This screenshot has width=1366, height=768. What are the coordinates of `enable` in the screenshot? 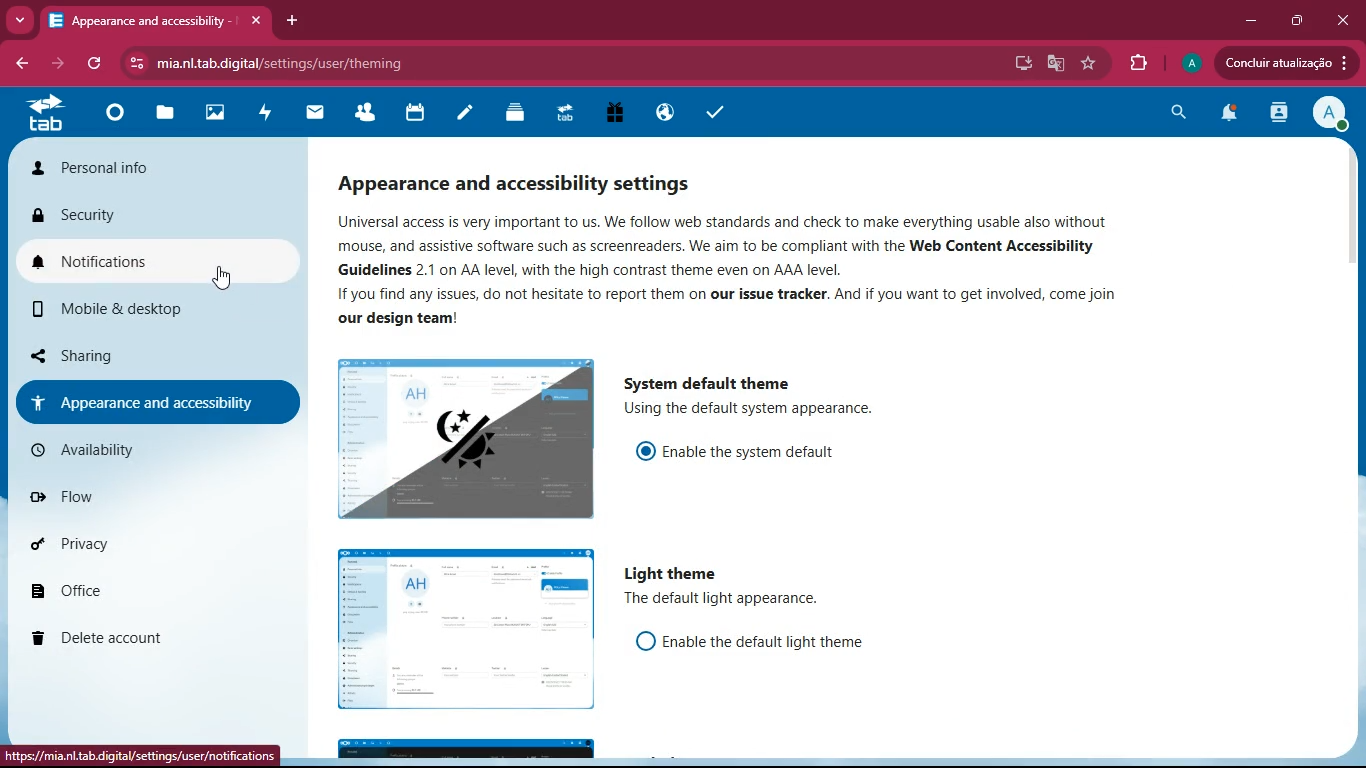 It's located at (645, 451).